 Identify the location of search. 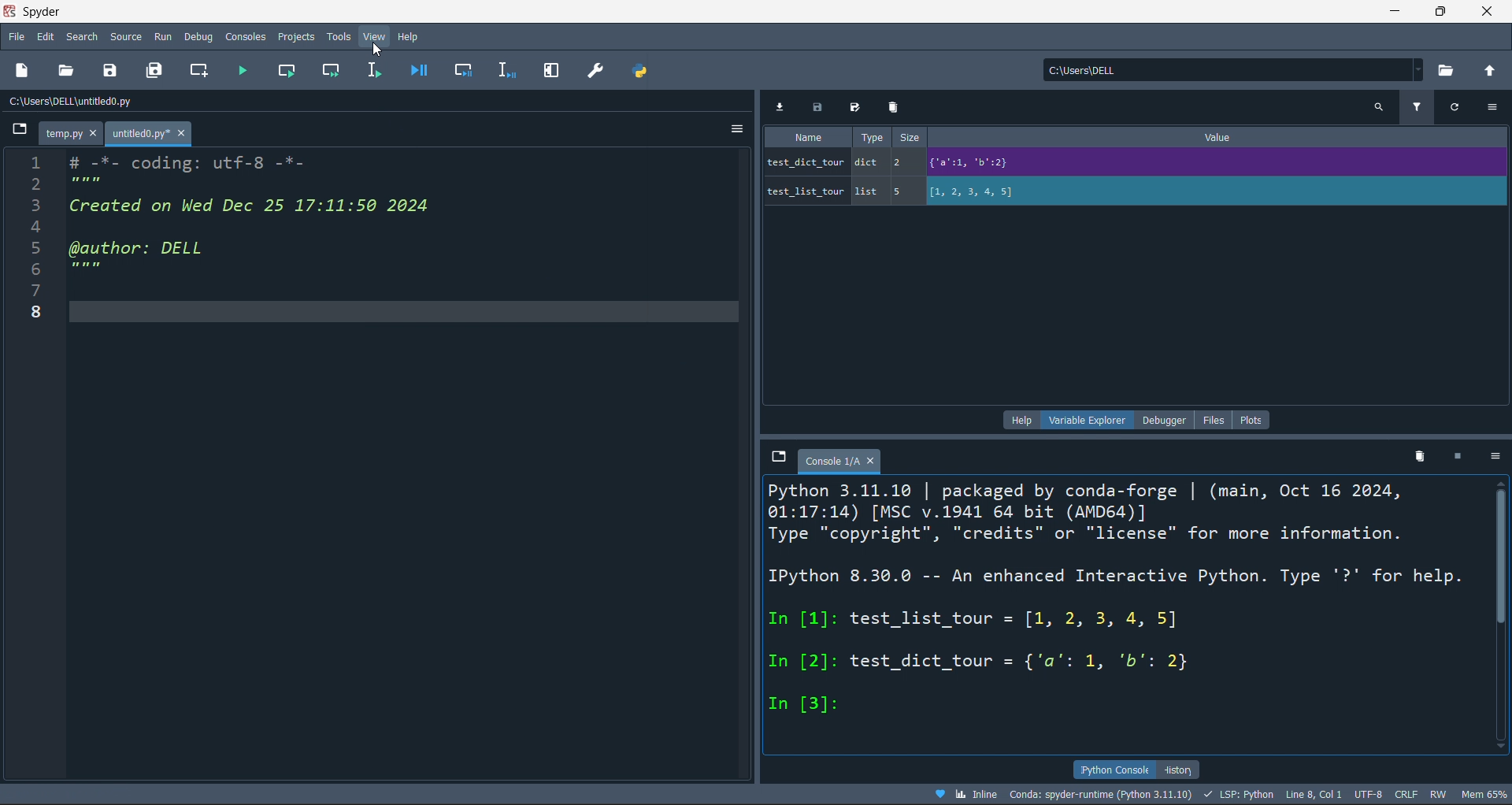
(1377, 106).